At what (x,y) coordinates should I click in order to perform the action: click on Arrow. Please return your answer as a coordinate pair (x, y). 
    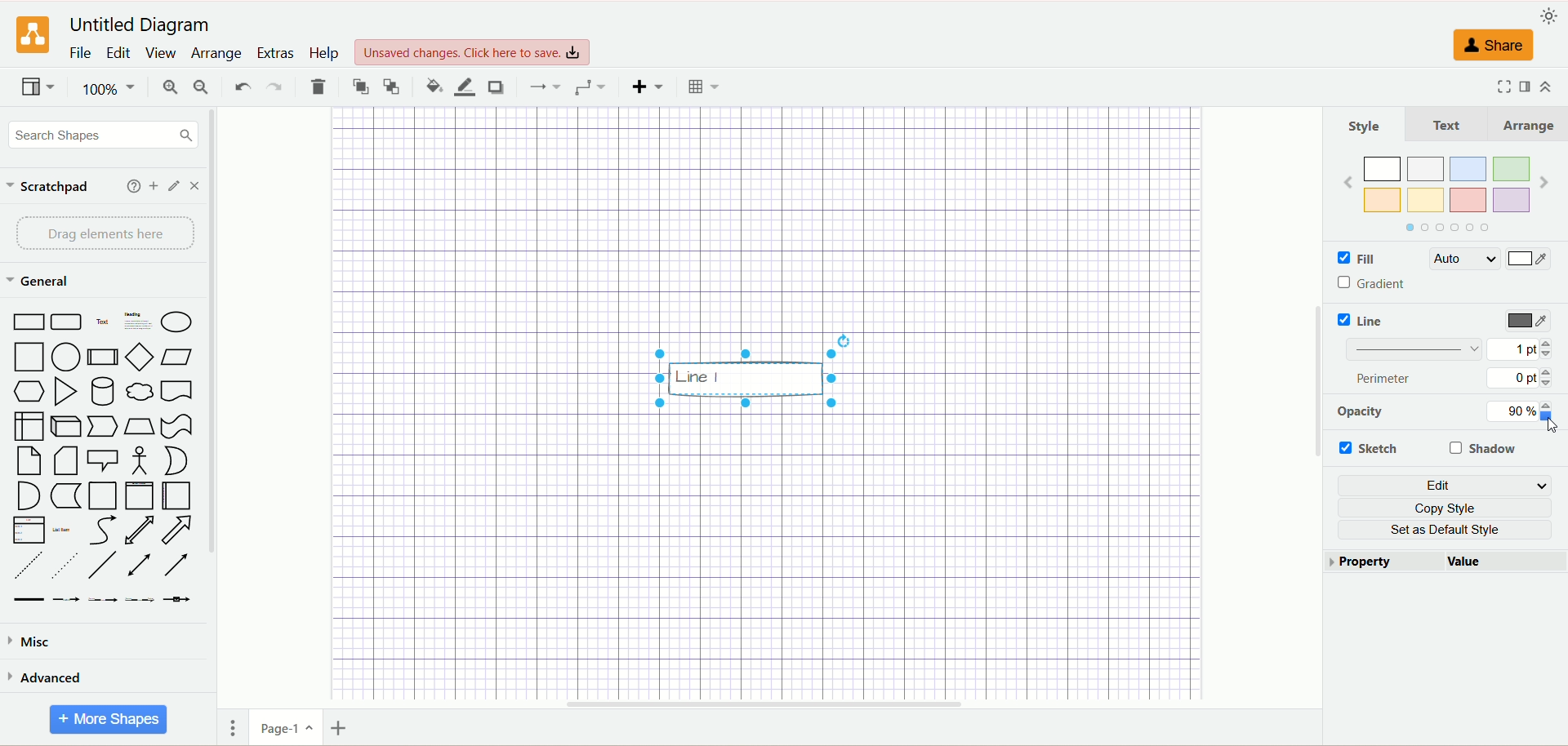
    Looking at the image, I should click on (176, 531).